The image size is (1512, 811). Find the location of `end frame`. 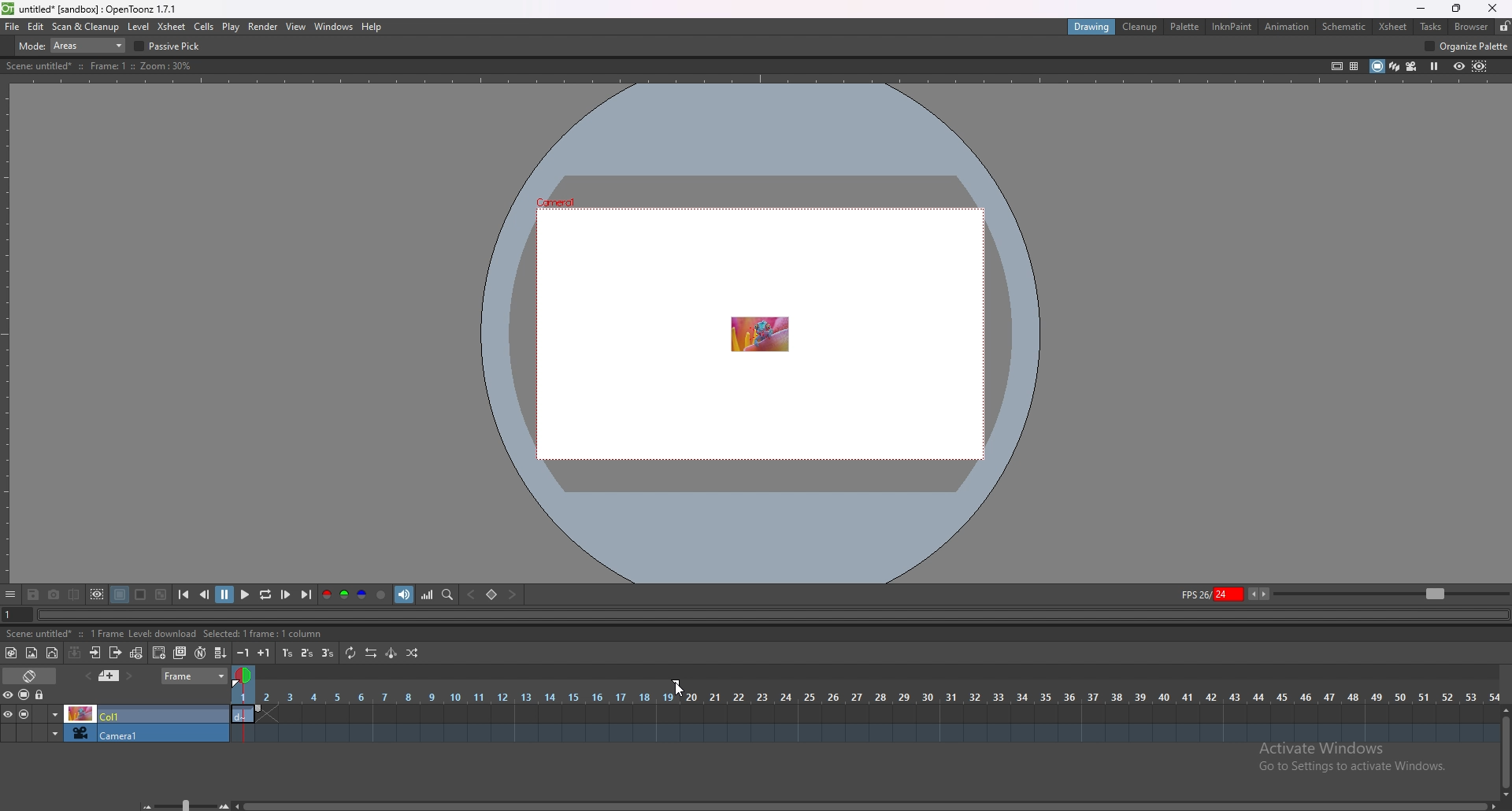

end frame is located at coordinates (680, 683).